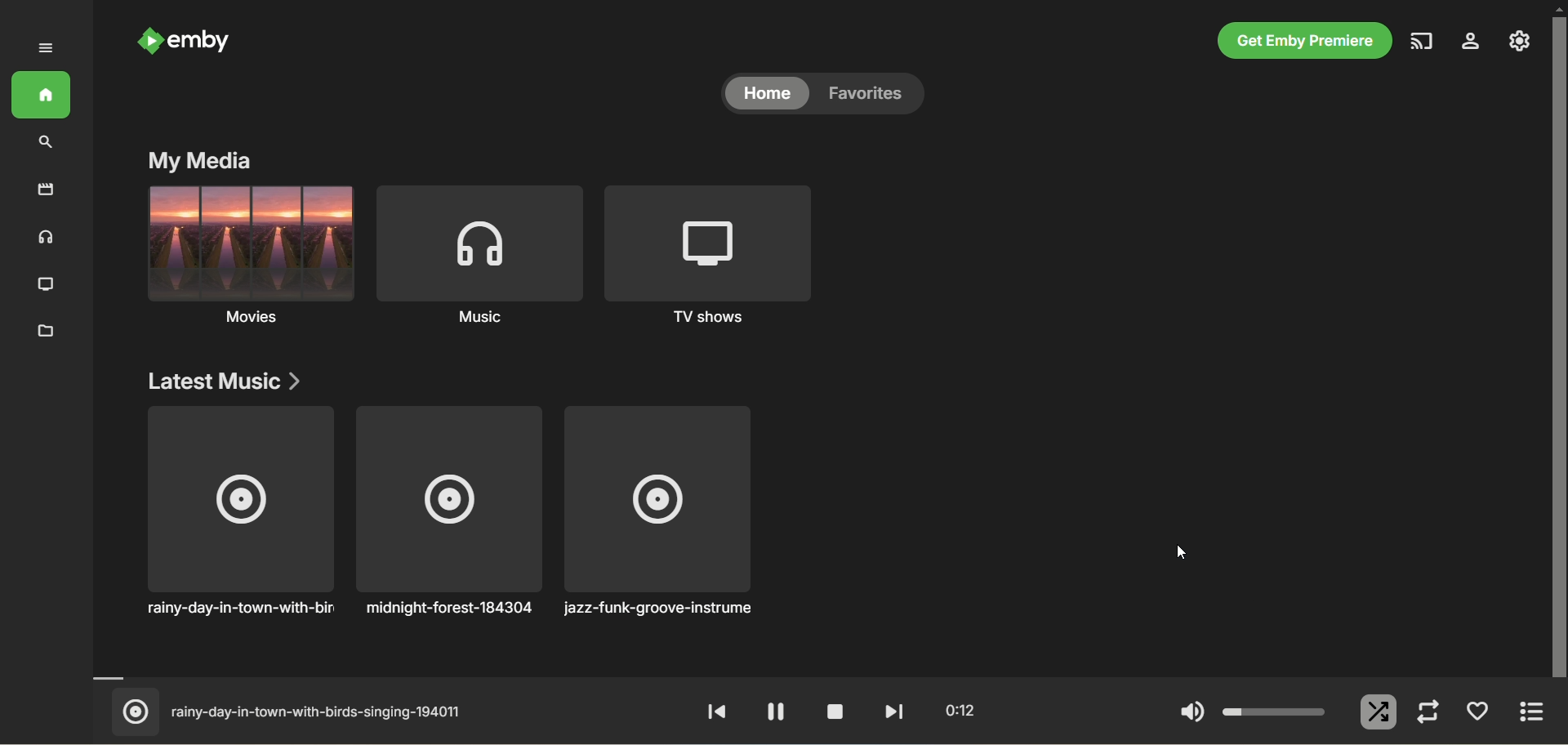  I want to click on favorites, so click(869, 96).